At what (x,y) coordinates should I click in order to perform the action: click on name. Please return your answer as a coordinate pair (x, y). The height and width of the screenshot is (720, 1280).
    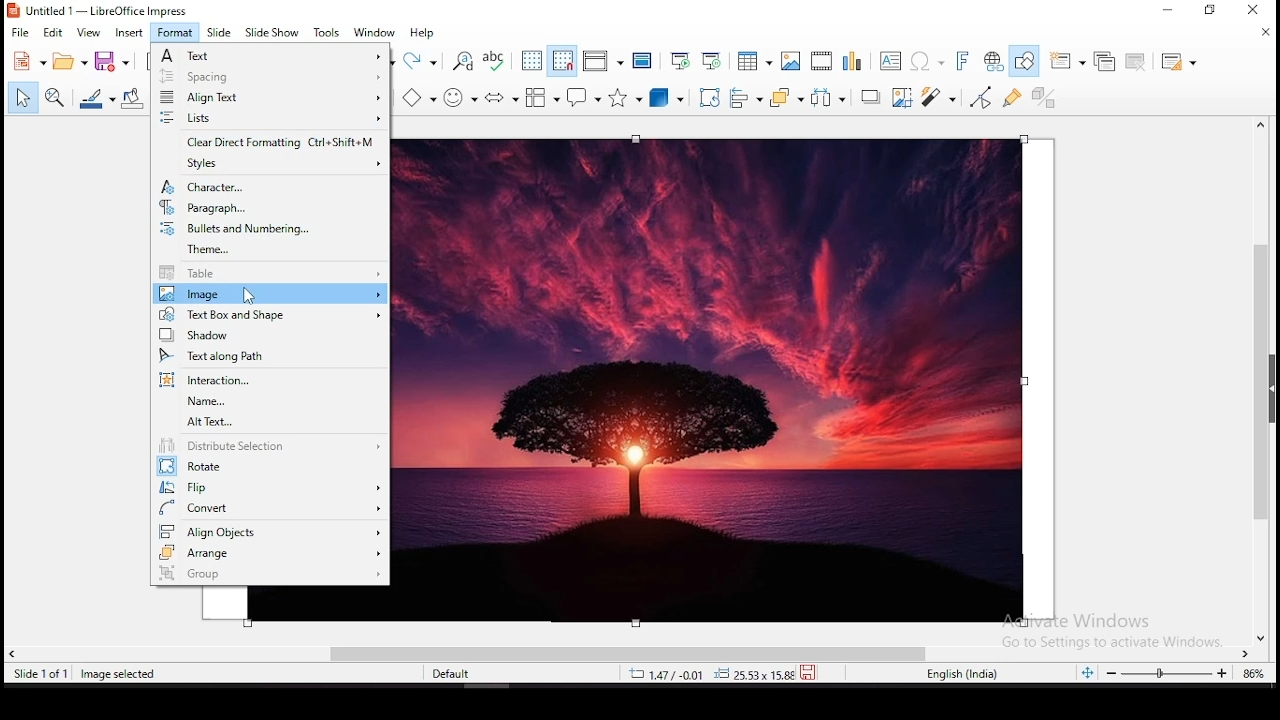
    Looking at the image, I should click on (268, 402).